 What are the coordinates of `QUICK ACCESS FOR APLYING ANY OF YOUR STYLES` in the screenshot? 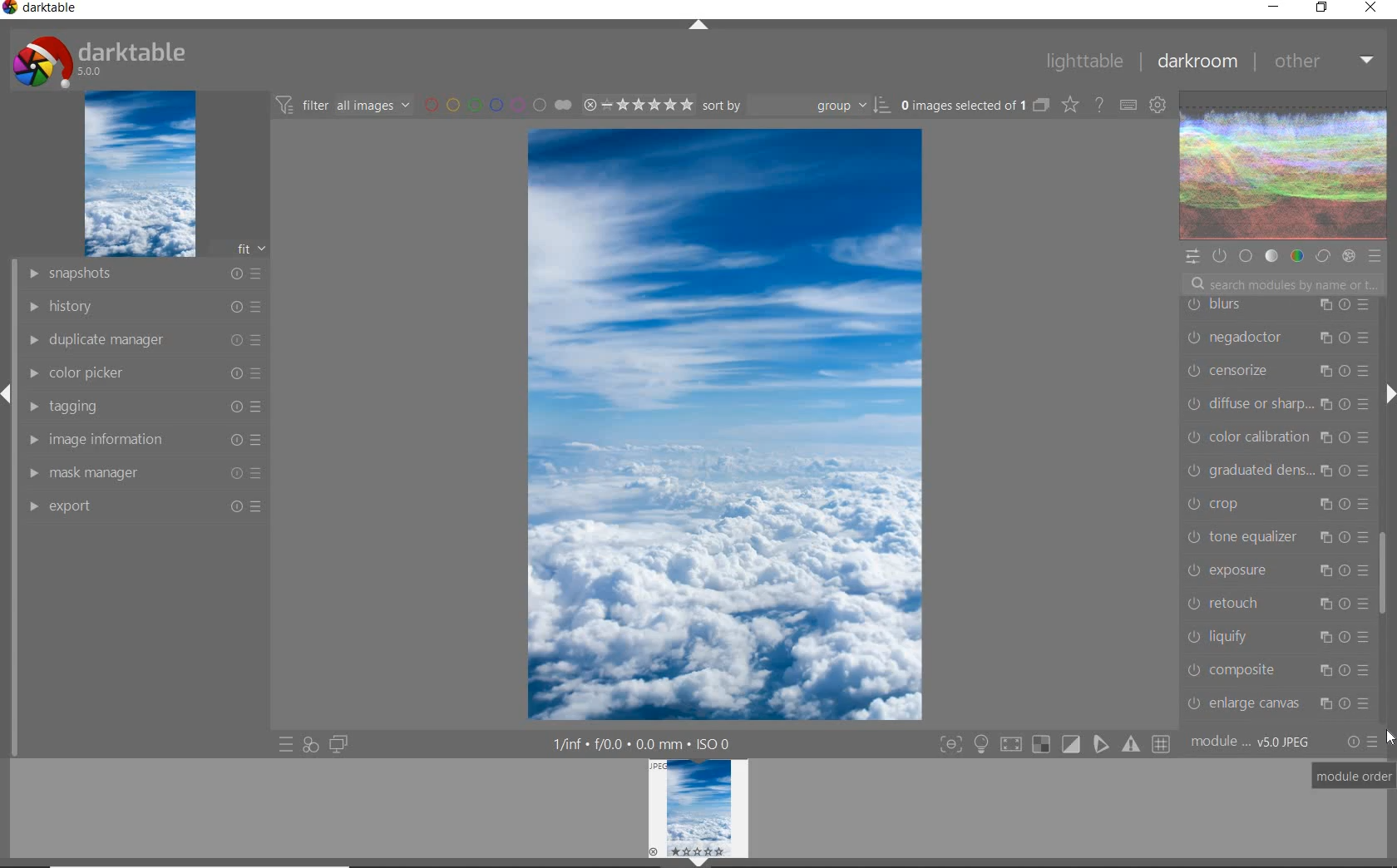 It's located at (310, 745).